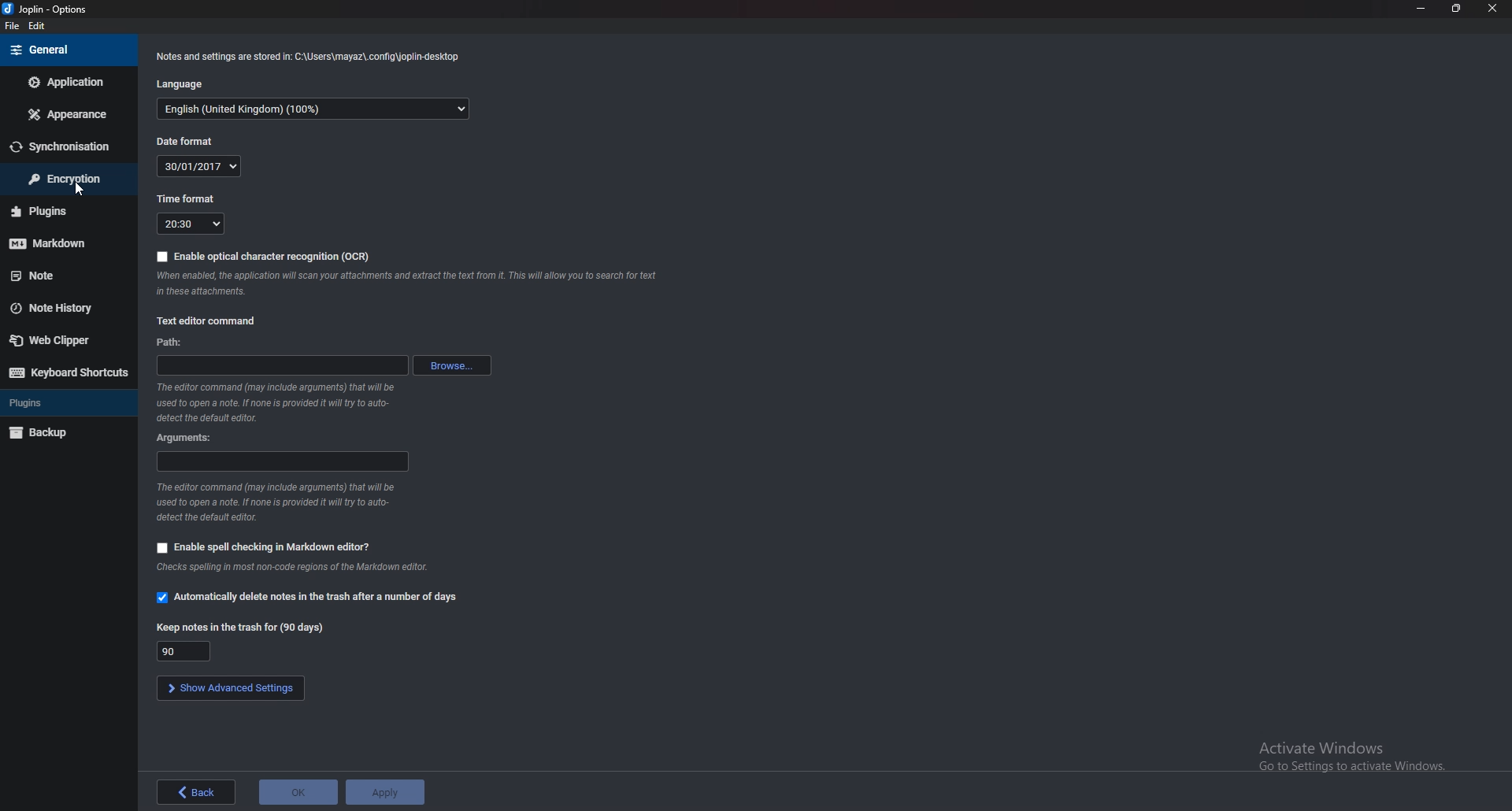  Describe the element at coordinates (207, 321) in the screenshot. I see `text editor command` at that location.